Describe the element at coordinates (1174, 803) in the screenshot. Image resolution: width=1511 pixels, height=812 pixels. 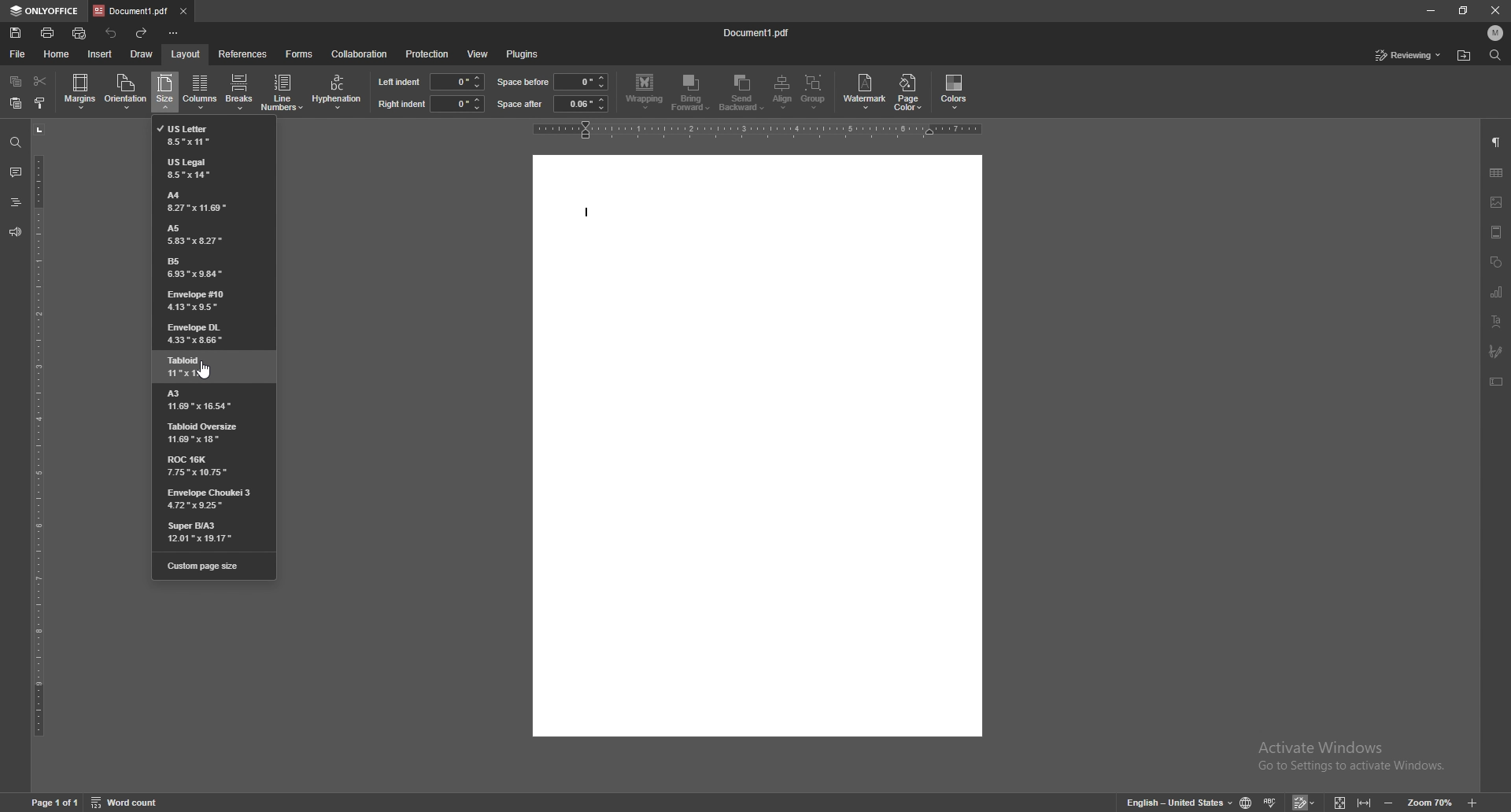
I see `English - United states` at that location.